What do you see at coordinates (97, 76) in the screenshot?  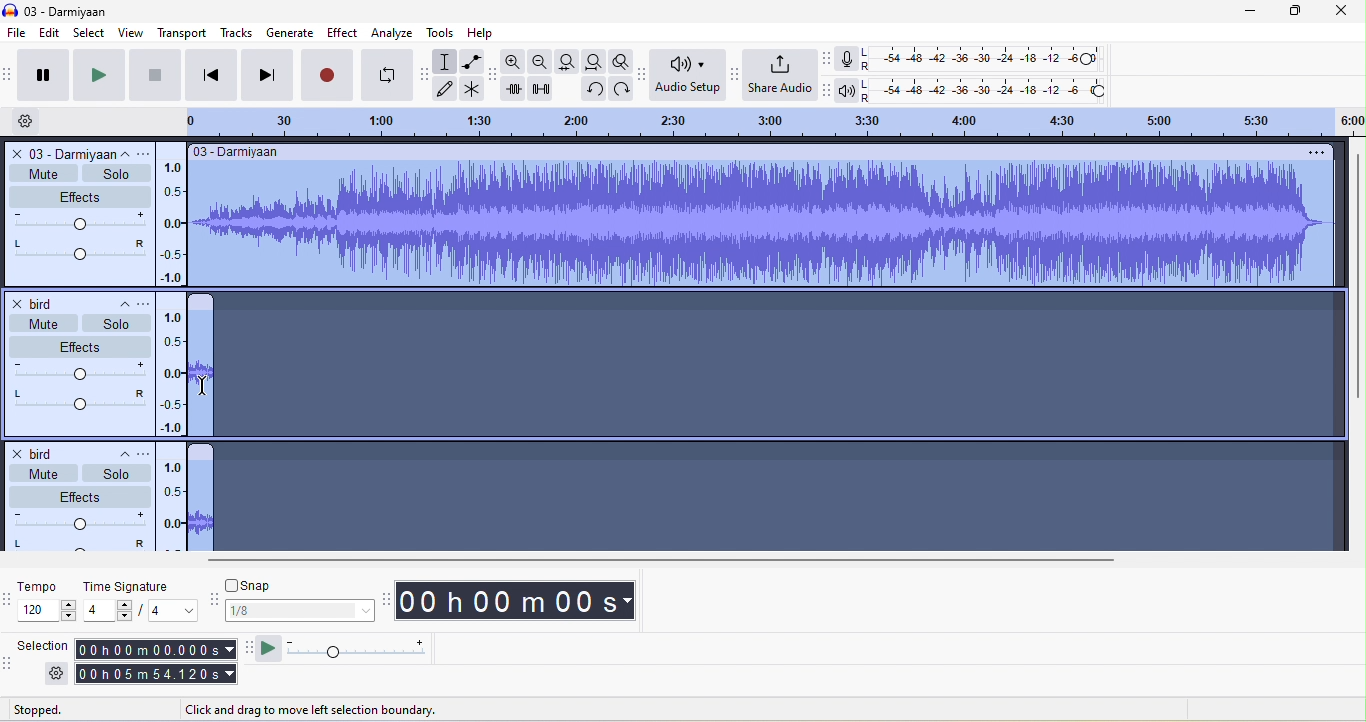 I see `play` at bounding box center [97, 76].